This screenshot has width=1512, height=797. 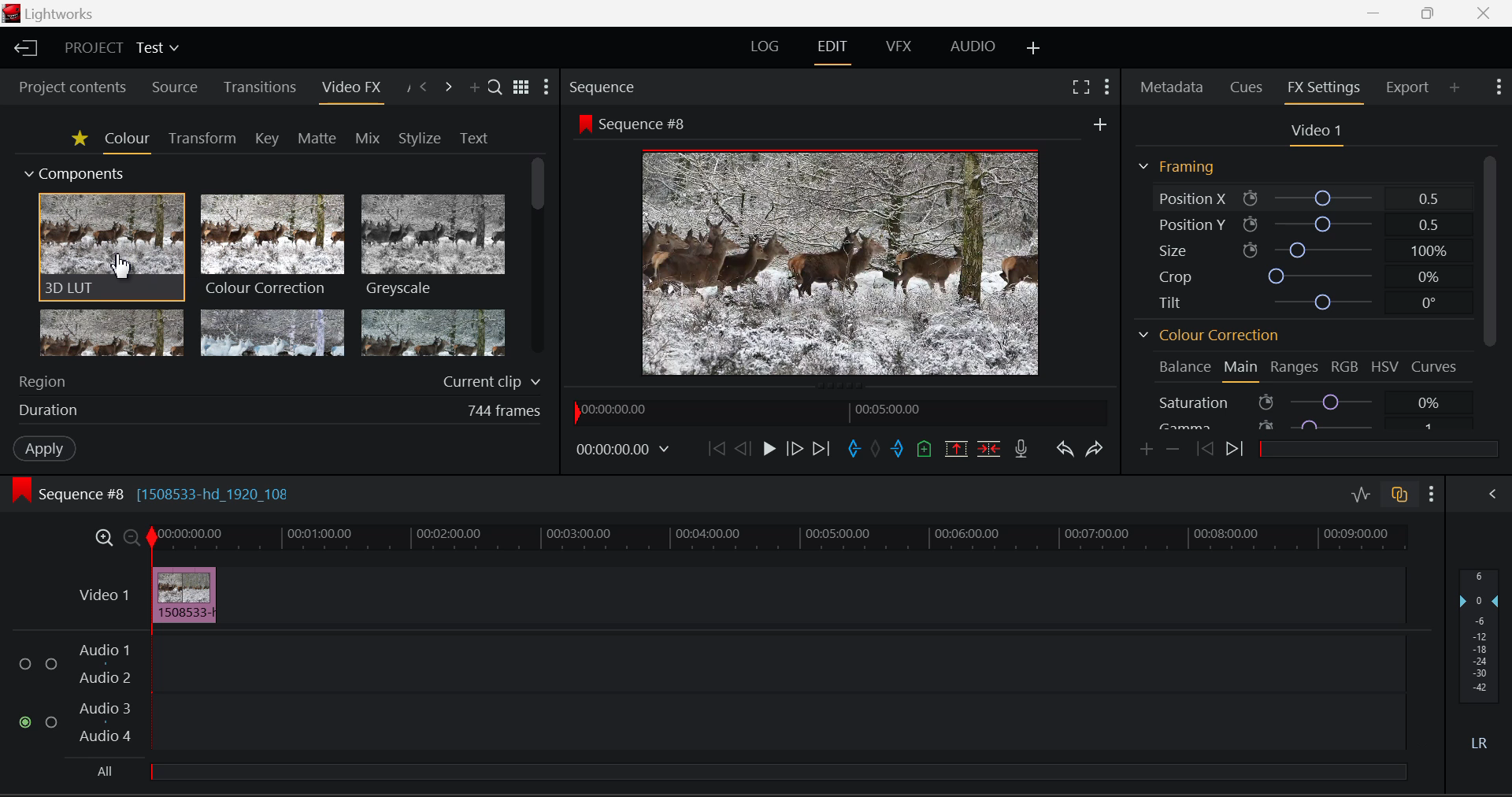 I want to click on Sequence Preview Section, so click(x=603, y=87).